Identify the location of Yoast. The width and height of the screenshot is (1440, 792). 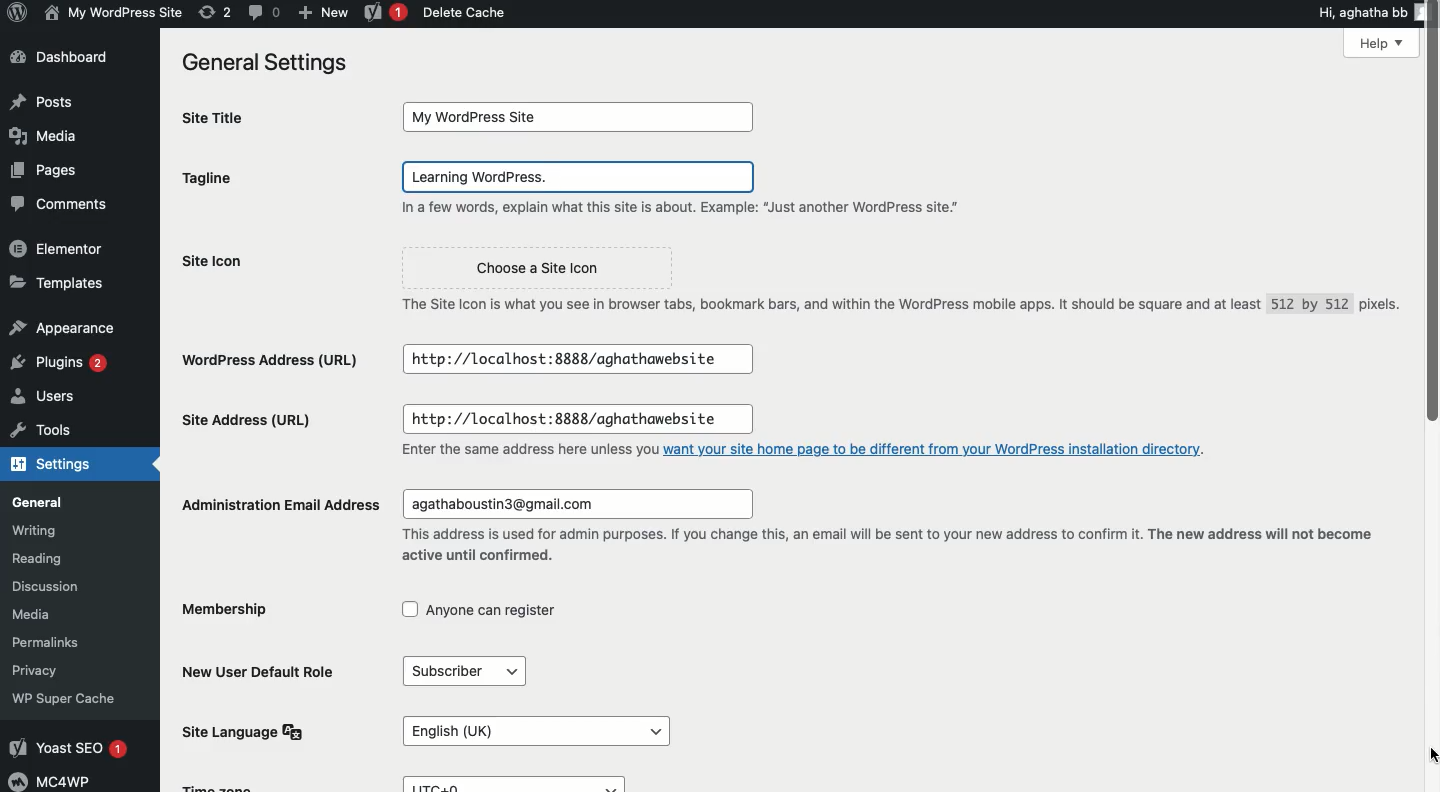
(382, 14).